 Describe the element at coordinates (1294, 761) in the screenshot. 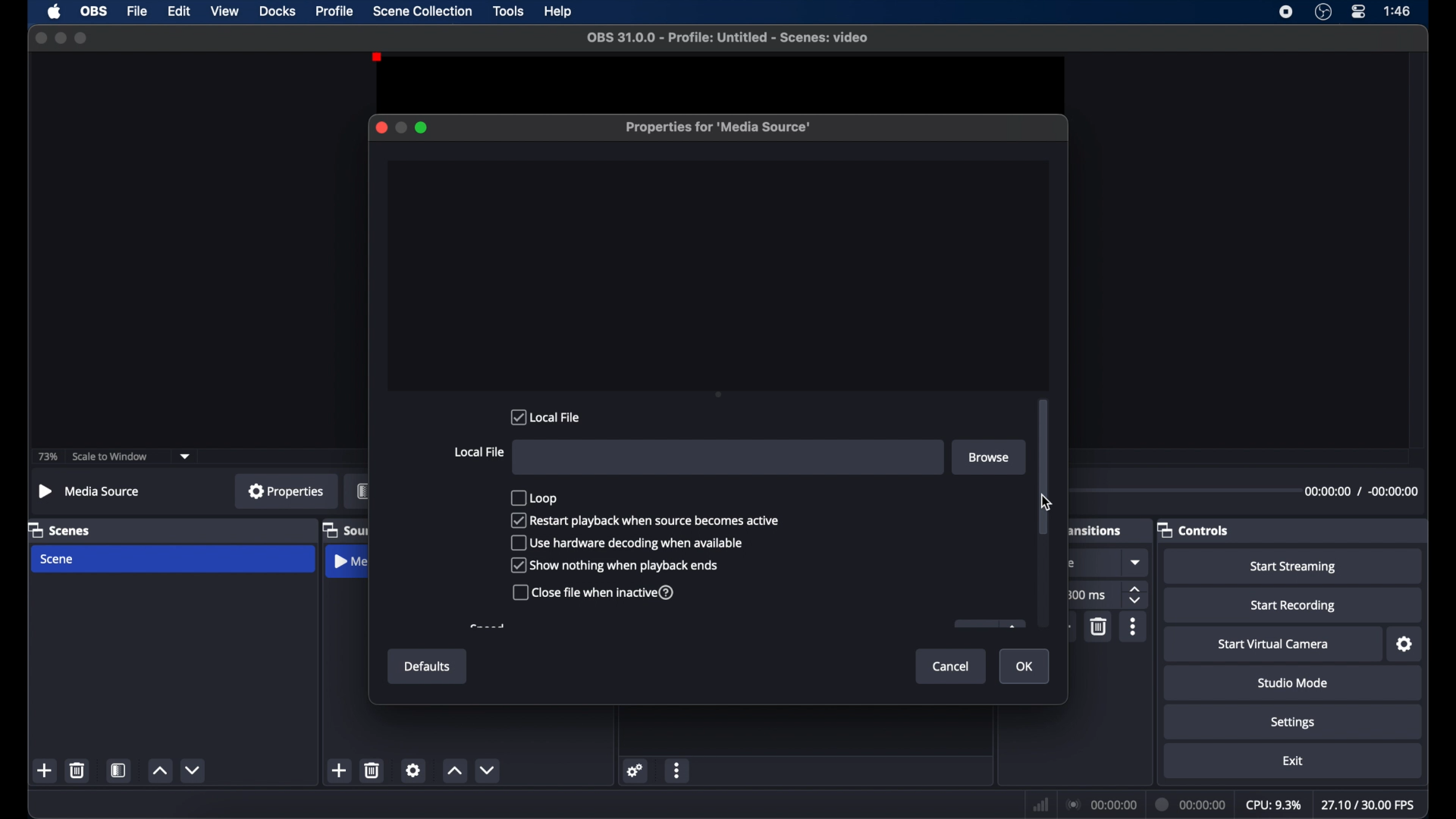

I see `exit` at that location.